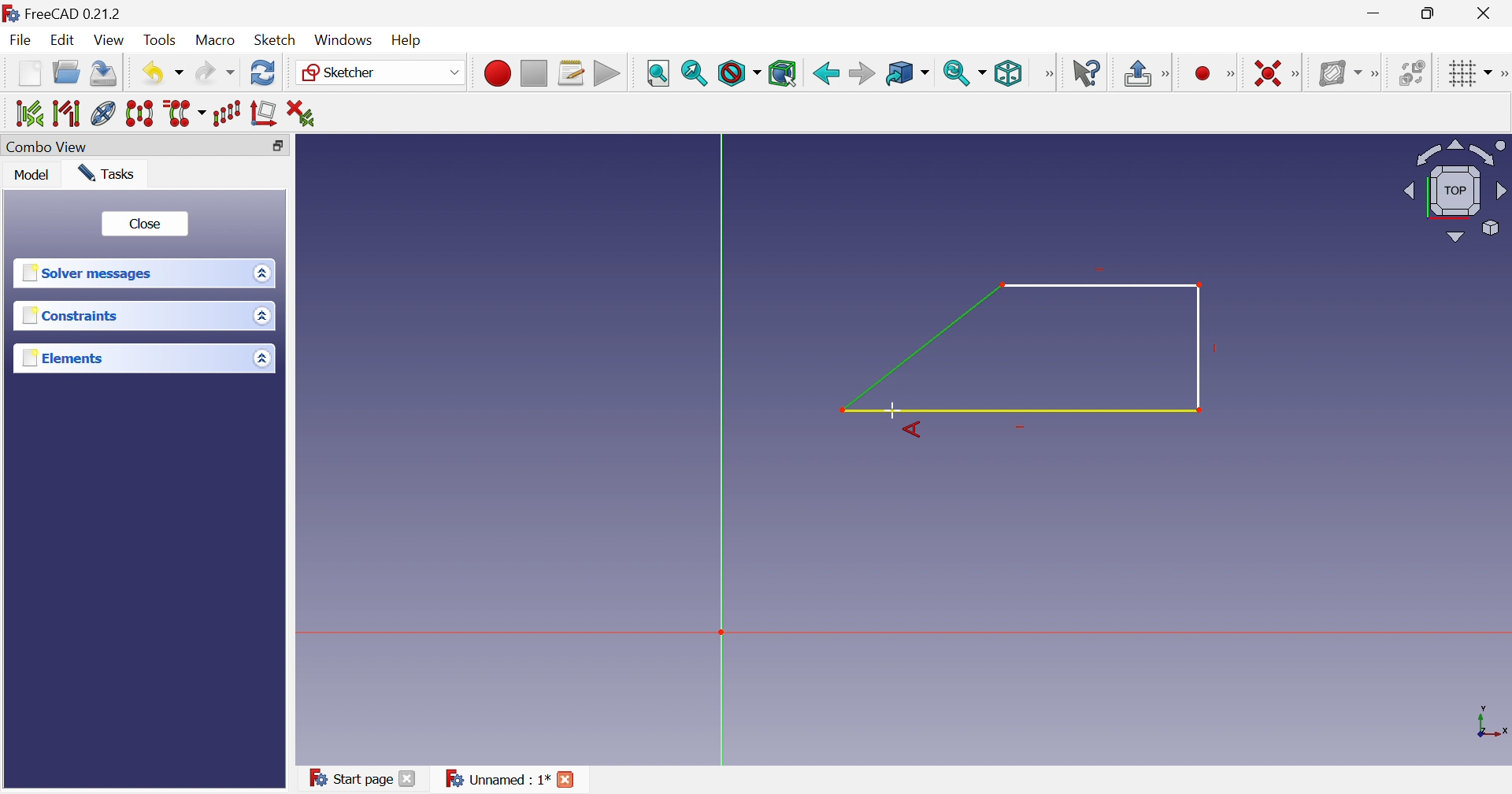  What do you see at coordinates (65, 113) in the screenshot?
I see `Select associated geometry` at bounding box center [65, 113].